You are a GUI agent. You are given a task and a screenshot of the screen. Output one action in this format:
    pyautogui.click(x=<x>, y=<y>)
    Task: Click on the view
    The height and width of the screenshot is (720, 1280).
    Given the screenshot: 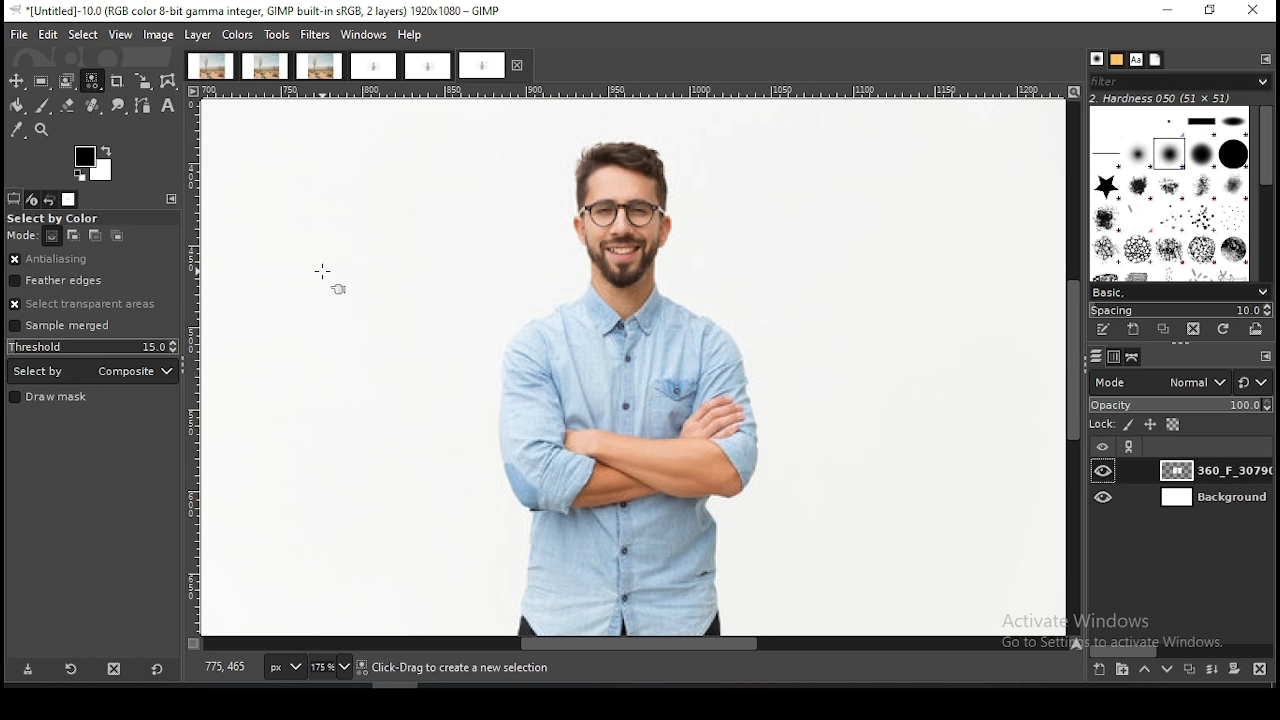 What is the action you would take?
    pyautogui.click(x=122, y=34)
    